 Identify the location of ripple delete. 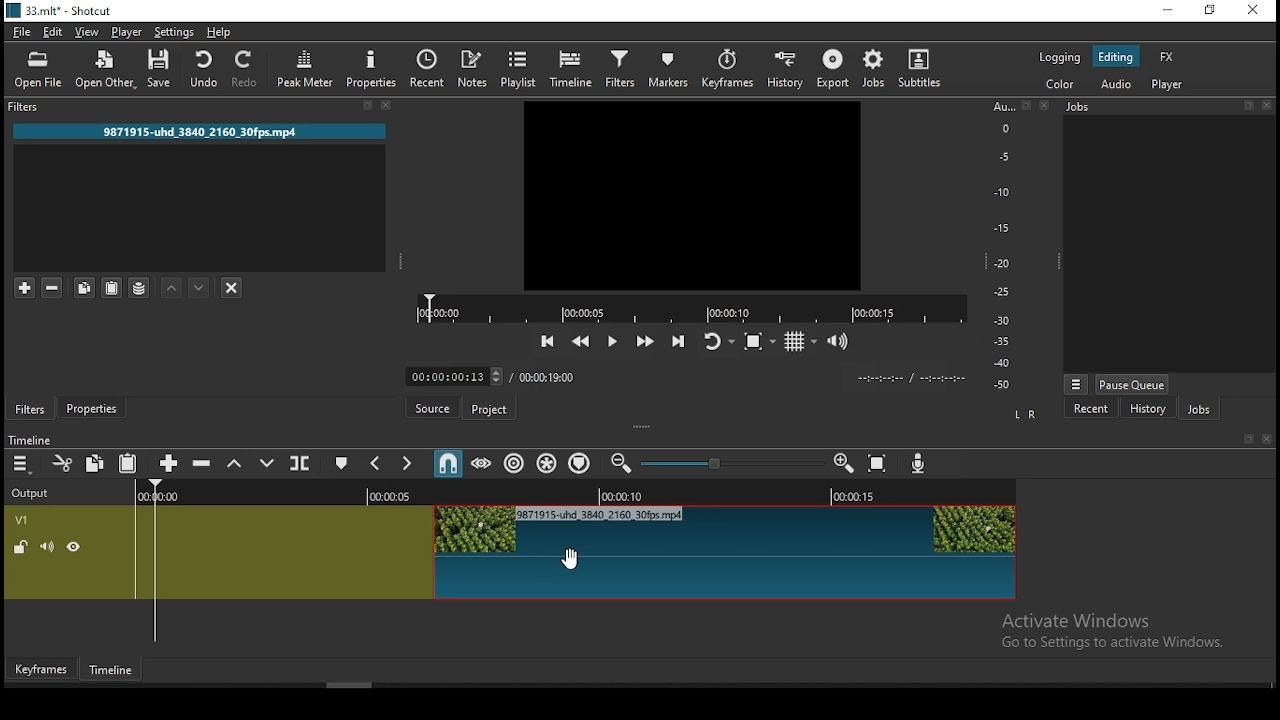
(206, 464).